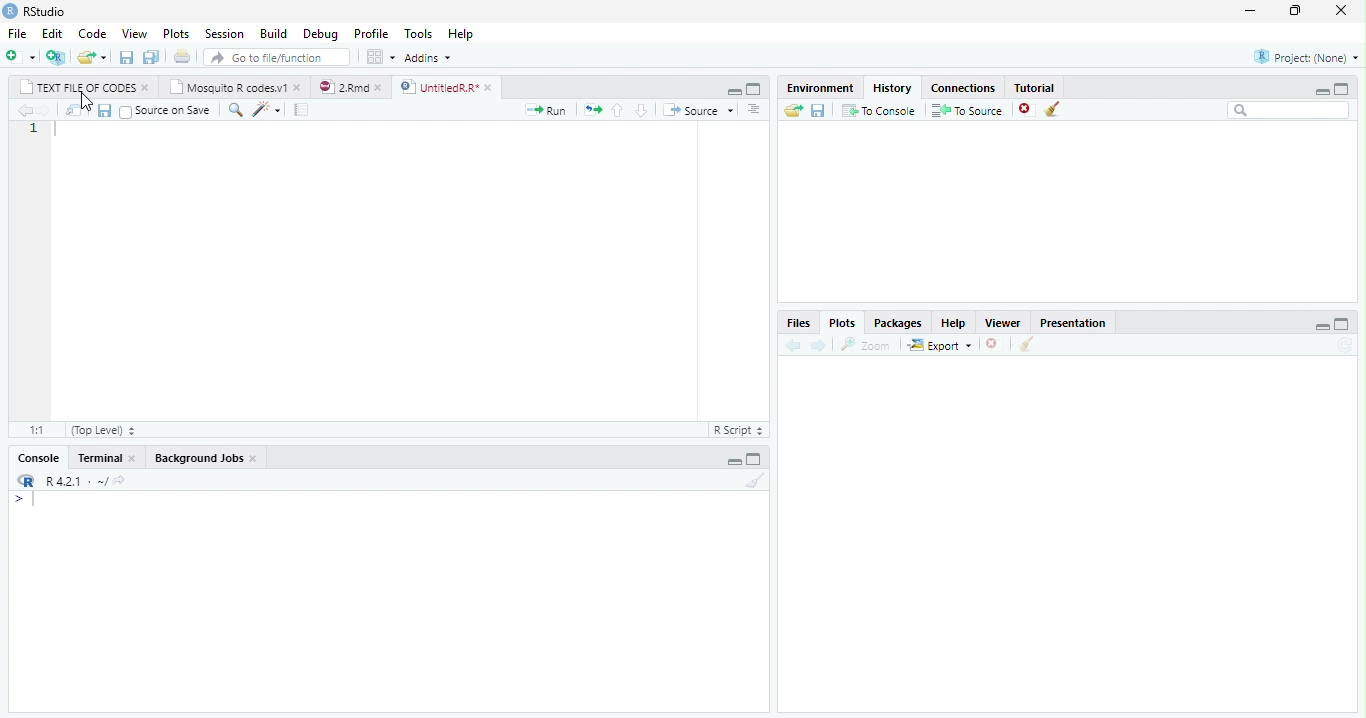 Image resolution: width=1366 pixels, height=718 pixels. Describe the element at coordinates (753, 110) in the screenshot. I see `go to next section` at that location.